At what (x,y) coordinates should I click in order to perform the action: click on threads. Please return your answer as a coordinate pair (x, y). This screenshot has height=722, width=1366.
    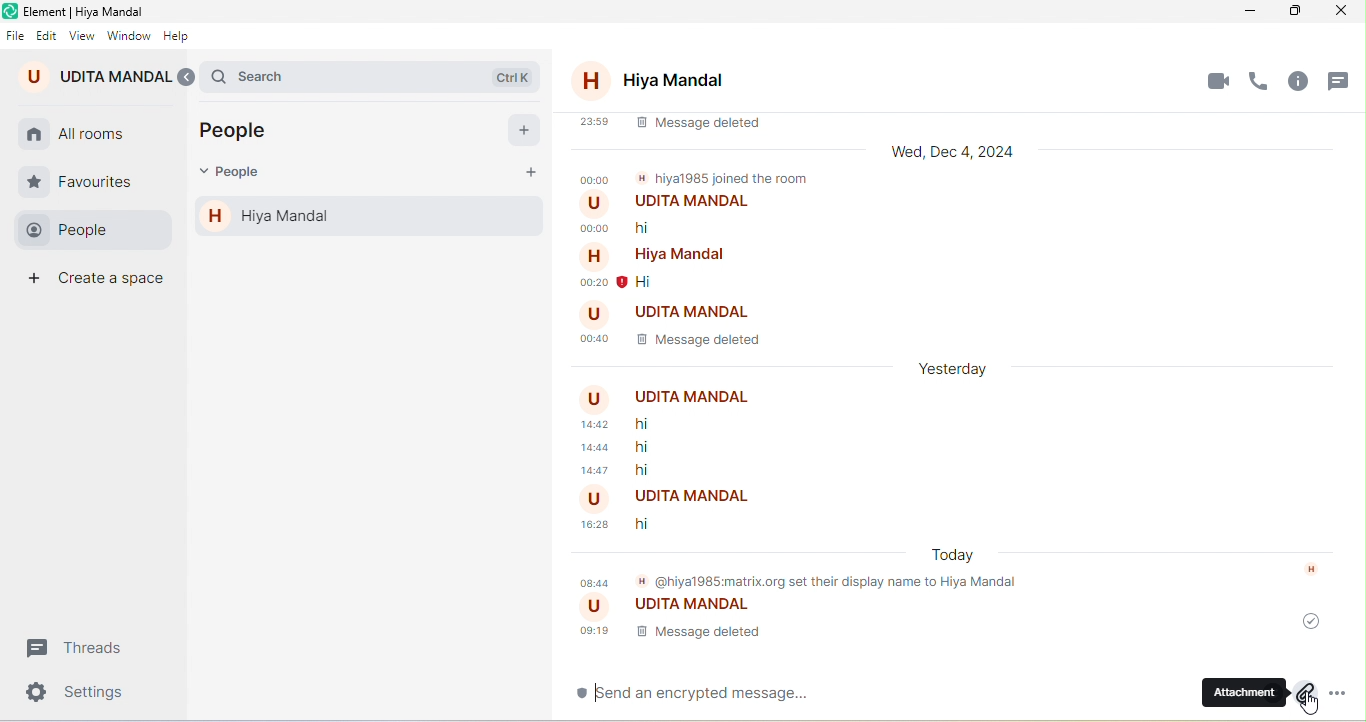
    Looking at the image, I should click on (85, 647).